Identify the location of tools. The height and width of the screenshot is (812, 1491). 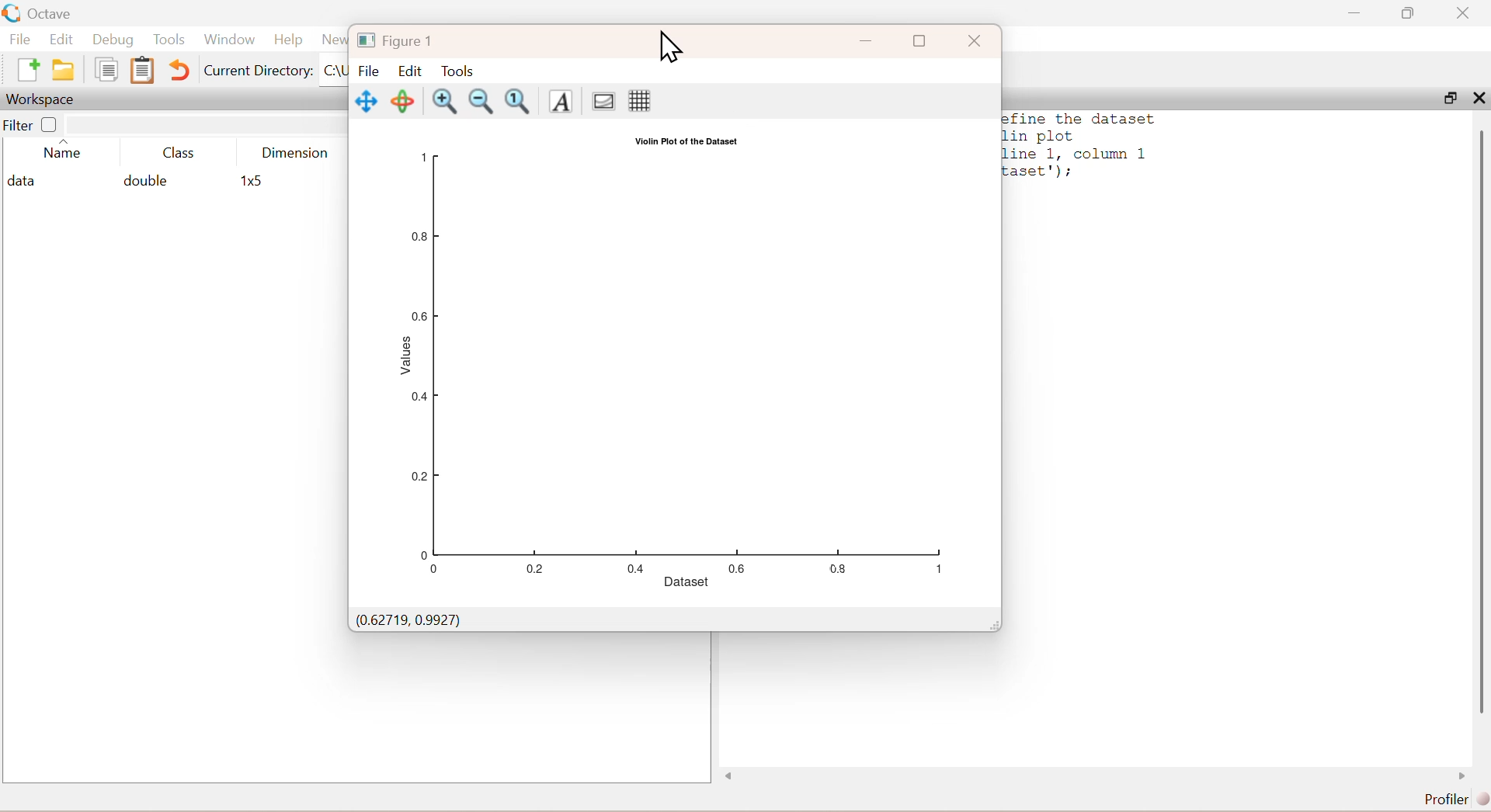
(171, 39).